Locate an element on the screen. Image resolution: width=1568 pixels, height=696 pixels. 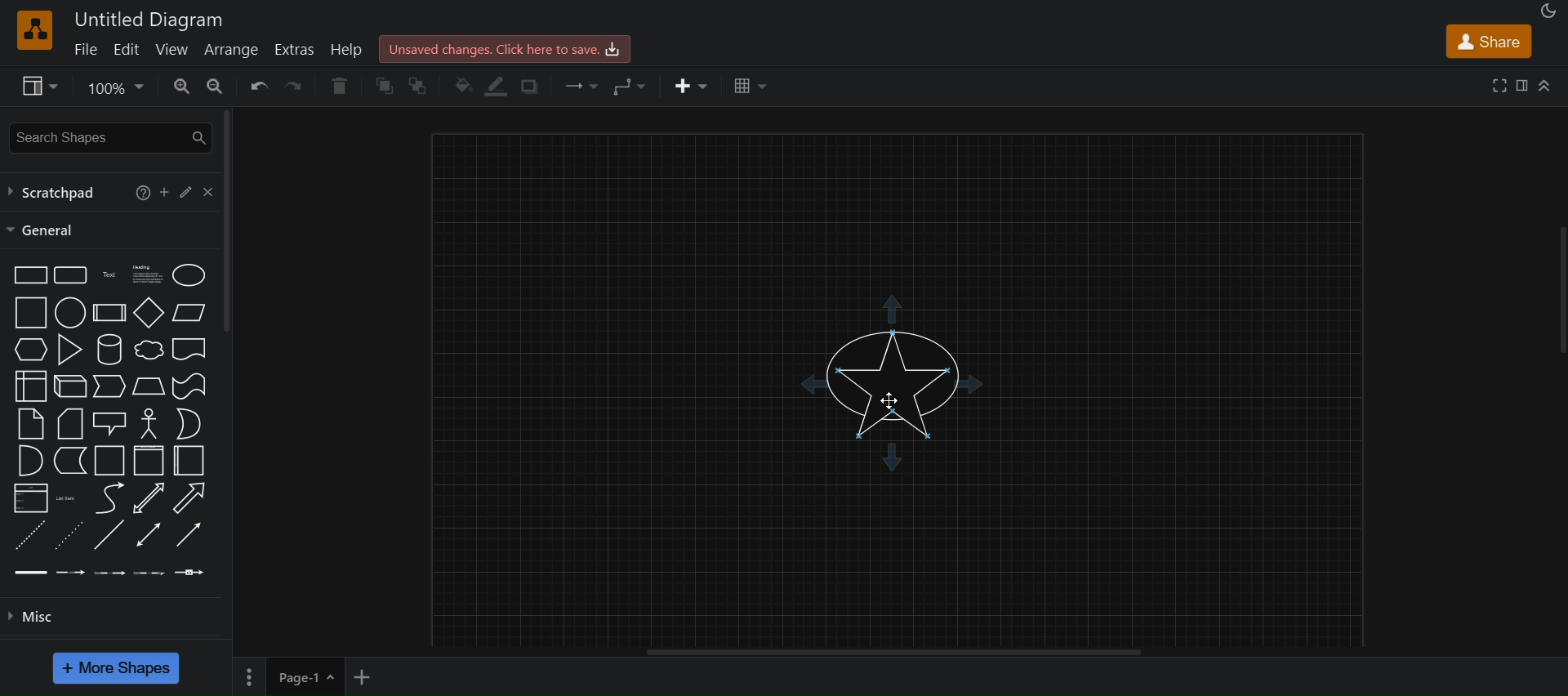
connection is located at coordinates (581, 87).